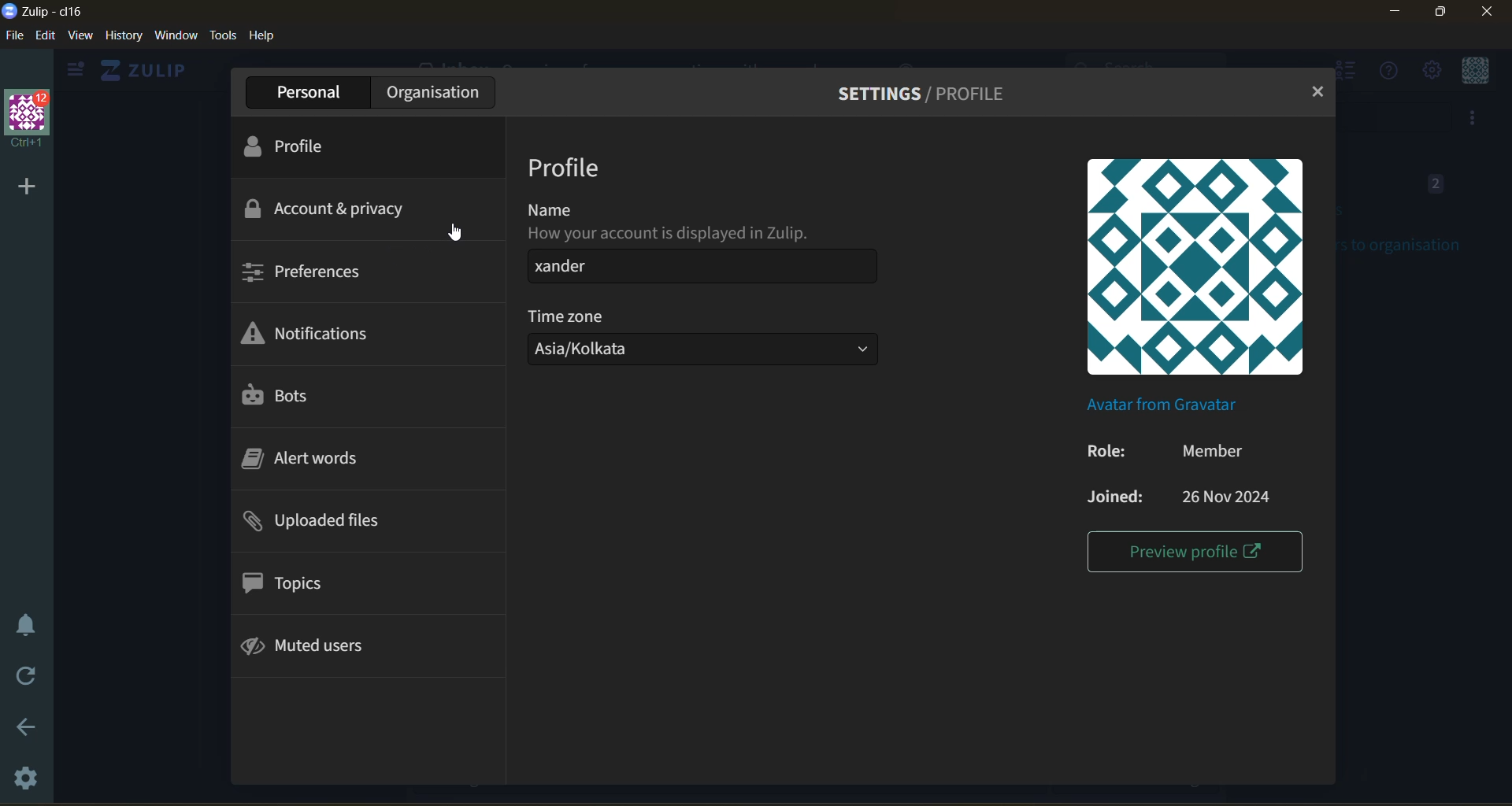  I want to click on view, so click(80, 38).